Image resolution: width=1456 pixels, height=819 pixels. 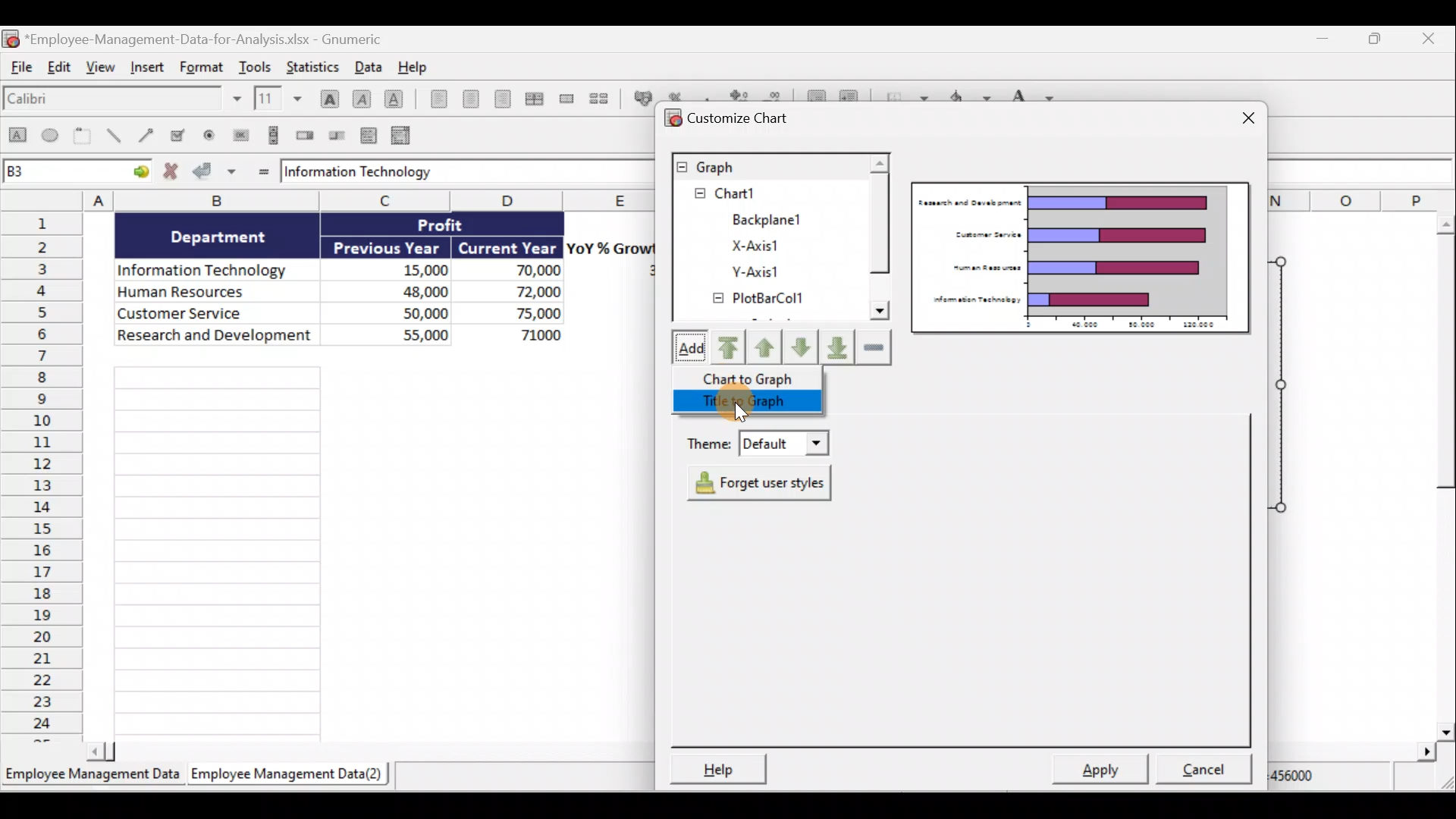 What do you see at coordinates (768, 165) in the screenshot?
I see `Graph` at bounding box center [768, 165].